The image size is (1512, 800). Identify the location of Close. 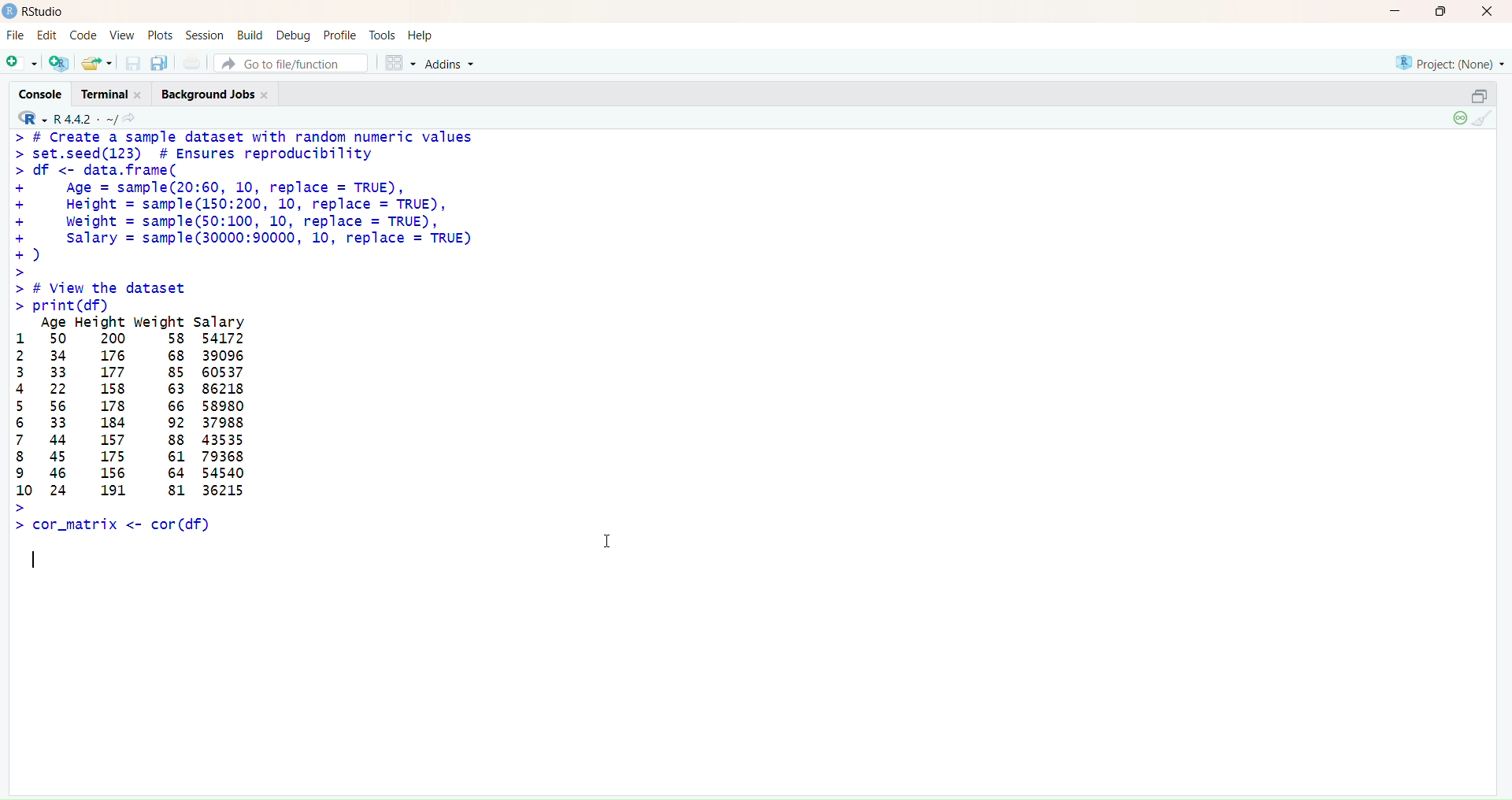
(1485, 13).